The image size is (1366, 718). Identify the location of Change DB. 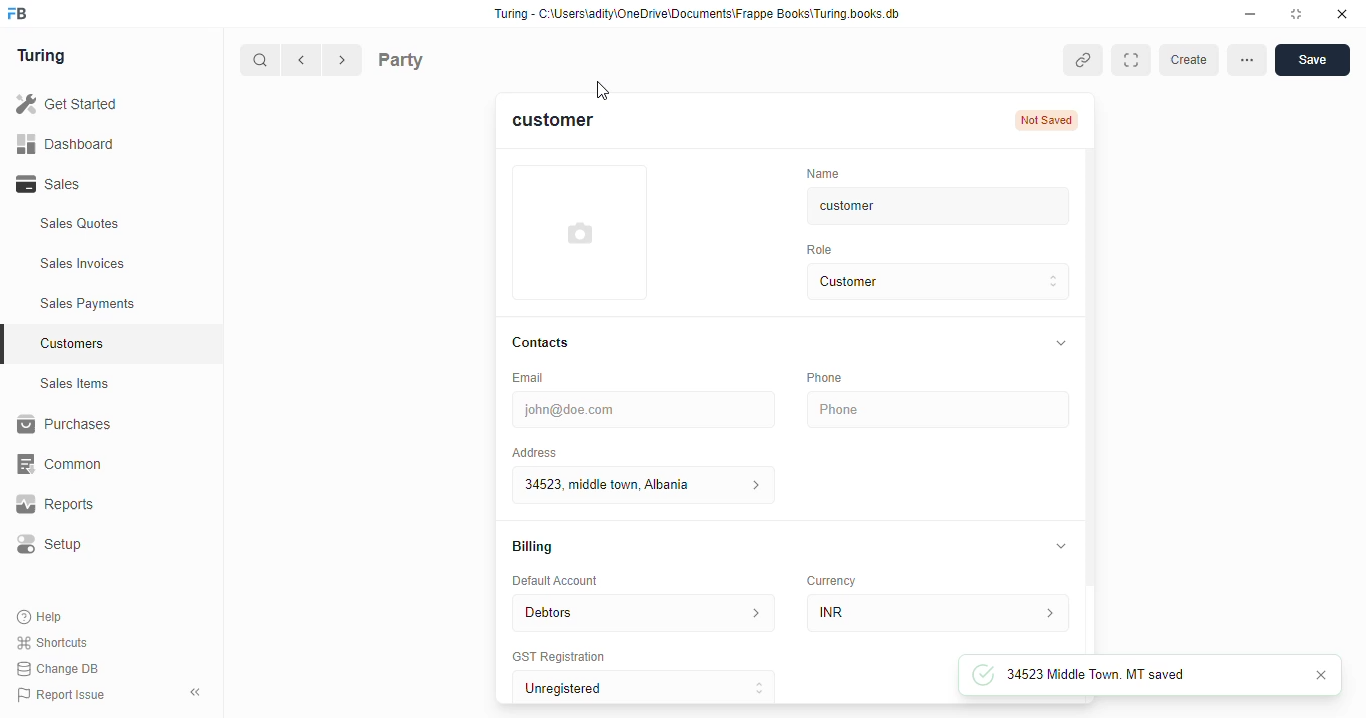
(62, 668).